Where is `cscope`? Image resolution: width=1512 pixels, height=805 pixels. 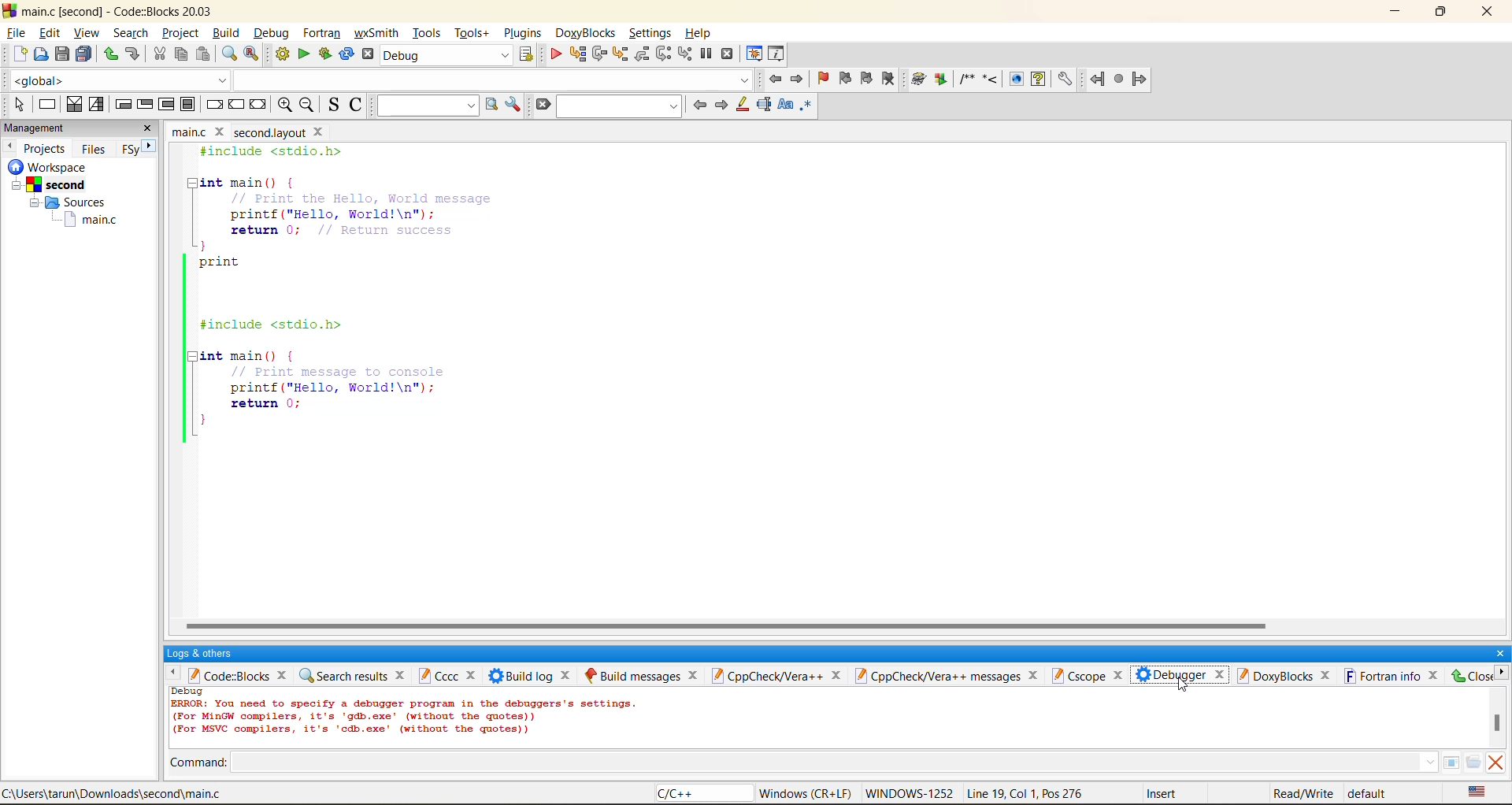 cscope is located at coordinates (1091, 675).